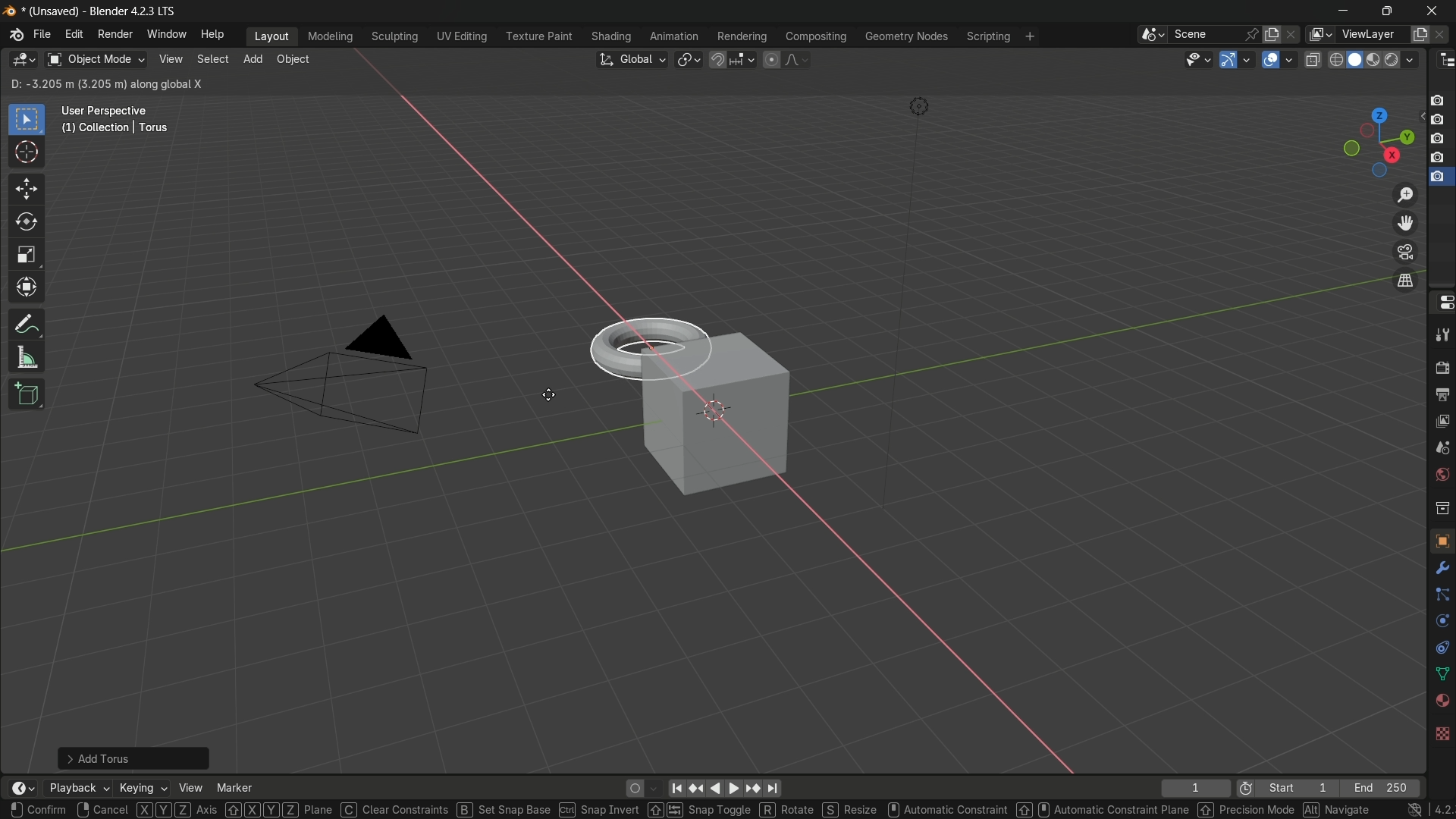 This screenshot has height=819, width=1456. What do you see at coordinates (272, 36) in the screenshot?
I see `layout` at bounding box center [272, 36].